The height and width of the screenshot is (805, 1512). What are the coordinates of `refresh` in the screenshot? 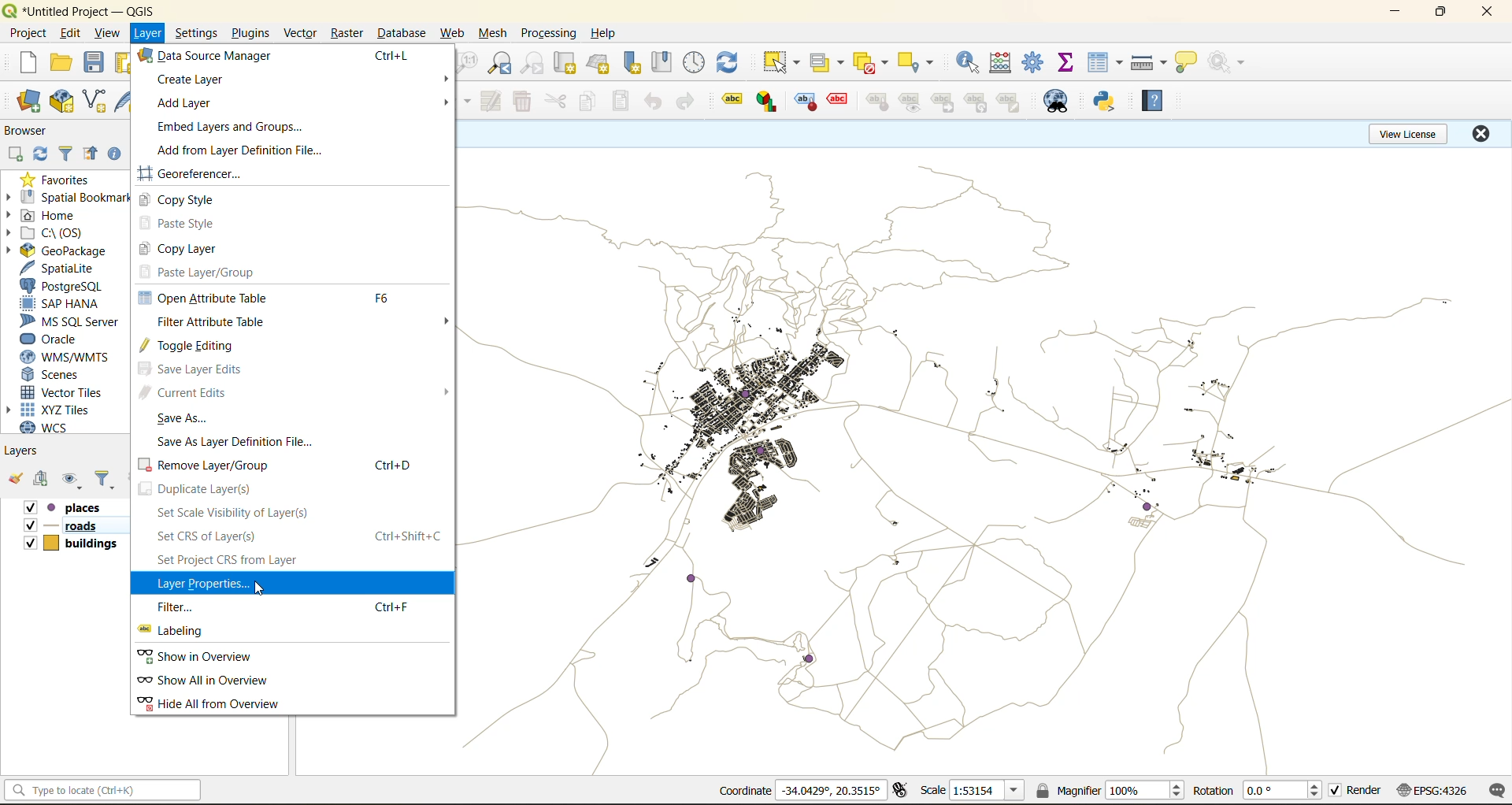 It's located at (731, 65).